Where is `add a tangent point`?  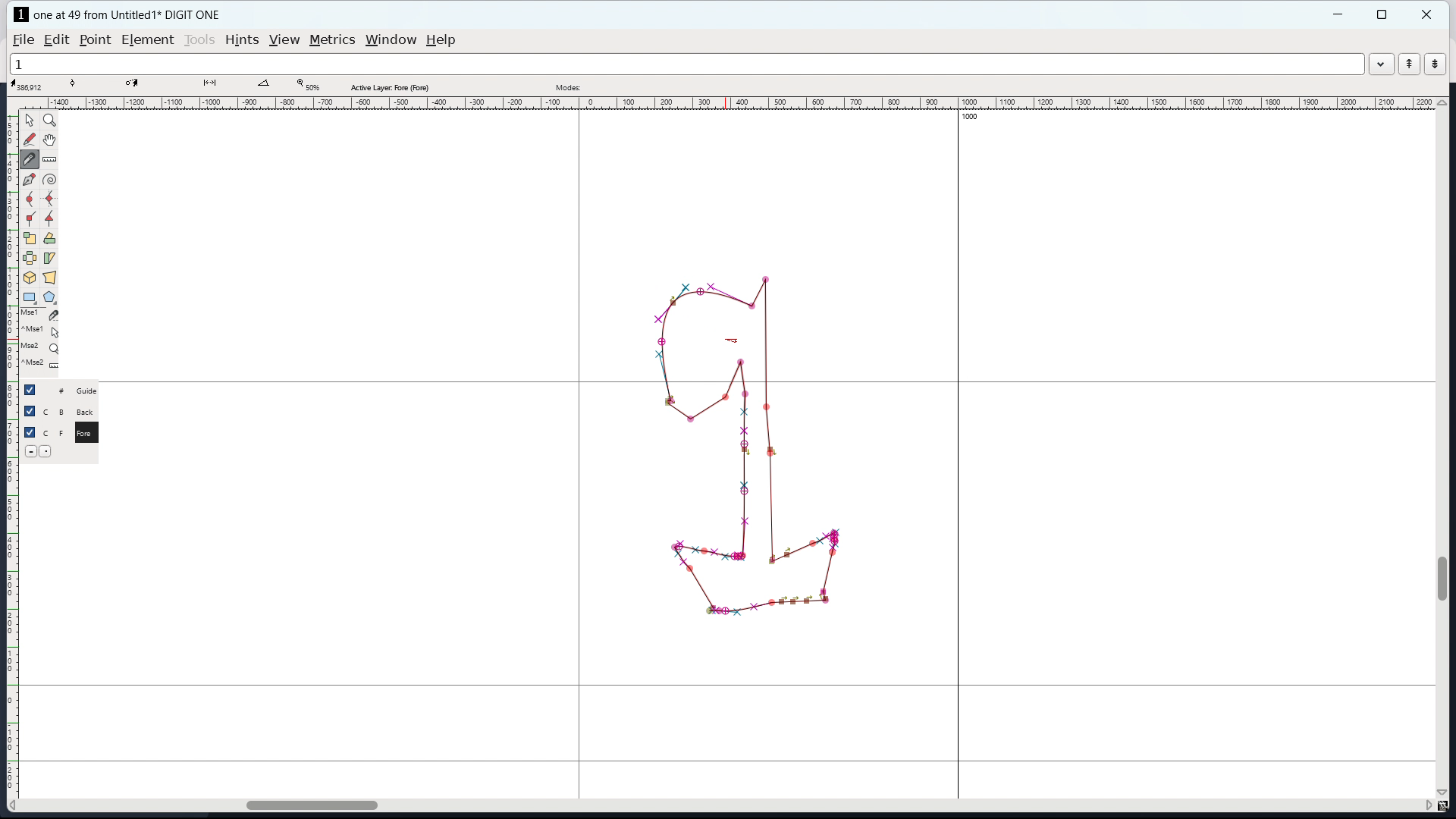
add a tangent point is located at coordinates (51, 218).